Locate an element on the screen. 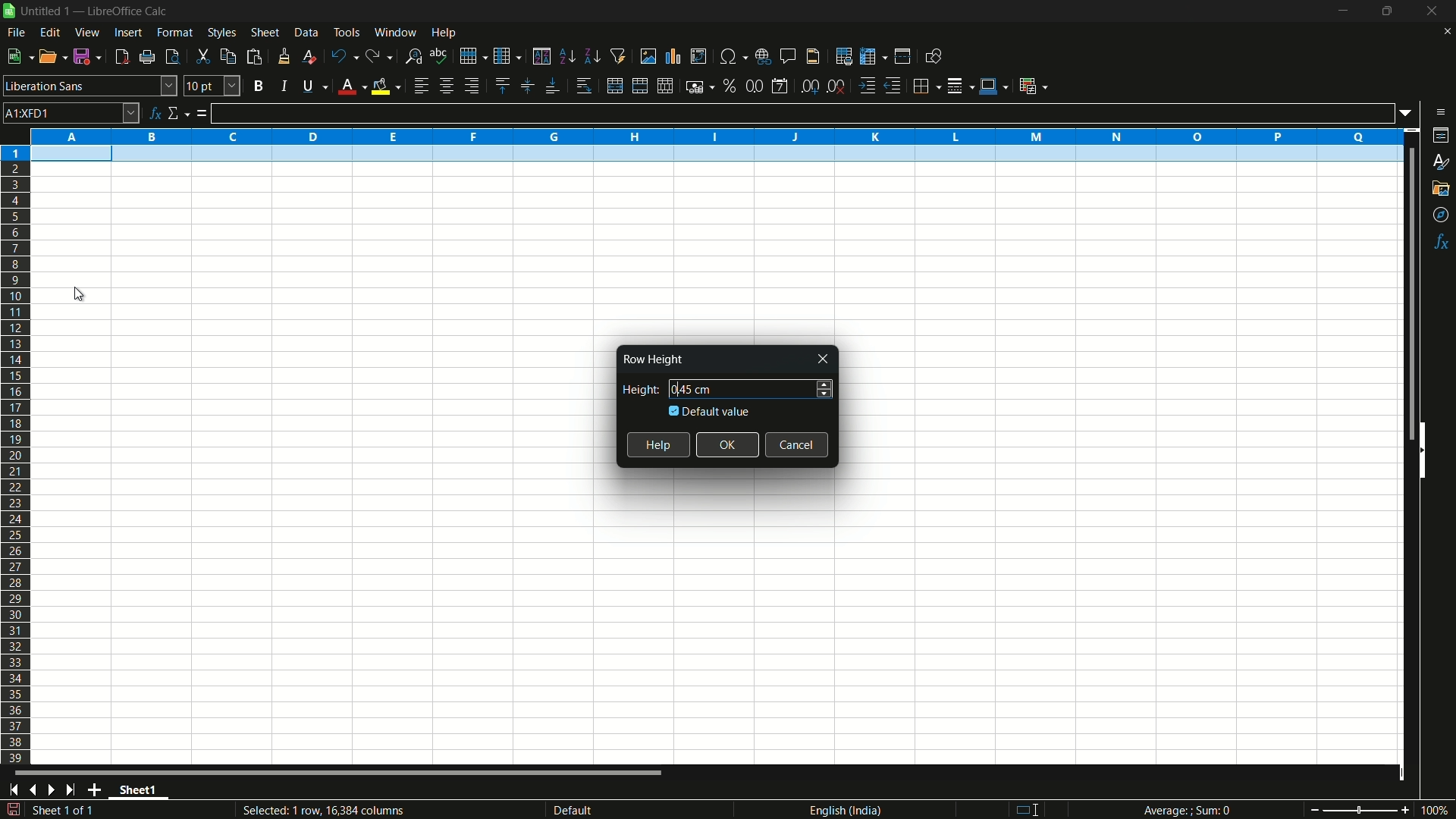 This screenshot has height=819, width=1456. height 0.45 cm is located at coordinates (739, 388).